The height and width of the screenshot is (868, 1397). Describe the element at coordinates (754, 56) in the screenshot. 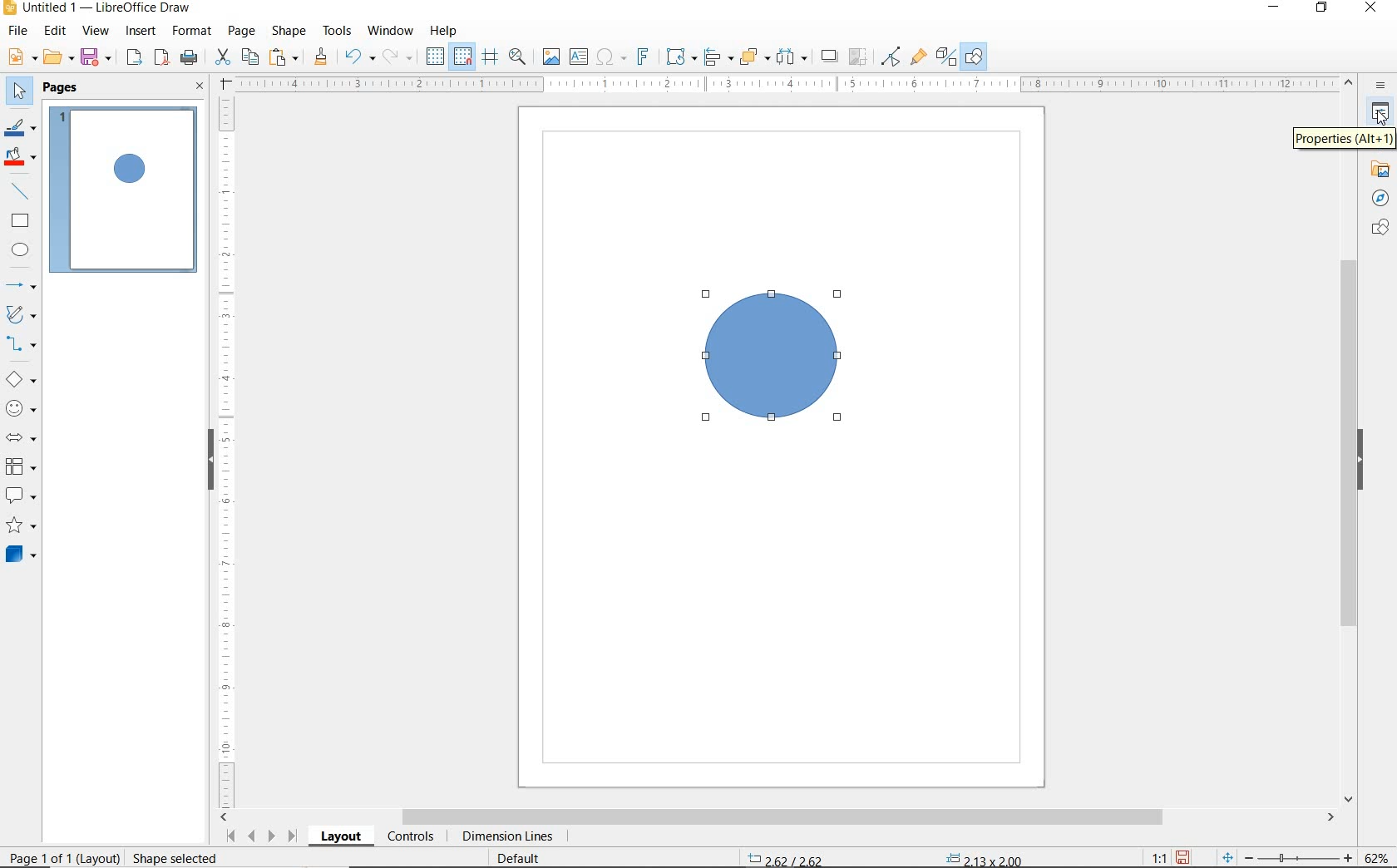

I see `ARRANGE` at that location.